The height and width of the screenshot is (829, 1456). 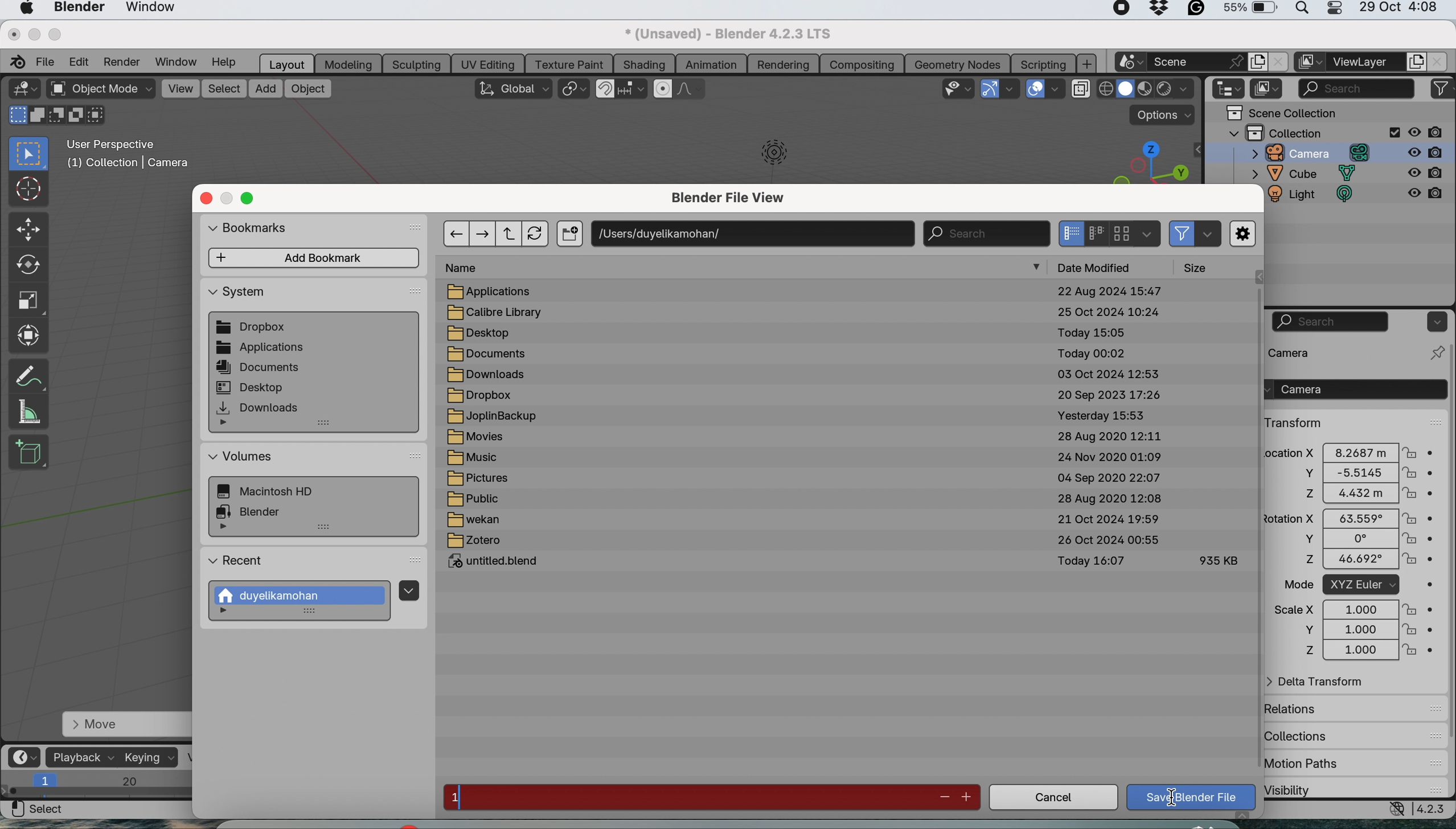 I want to click on object mode, so click(x=100, y=89).